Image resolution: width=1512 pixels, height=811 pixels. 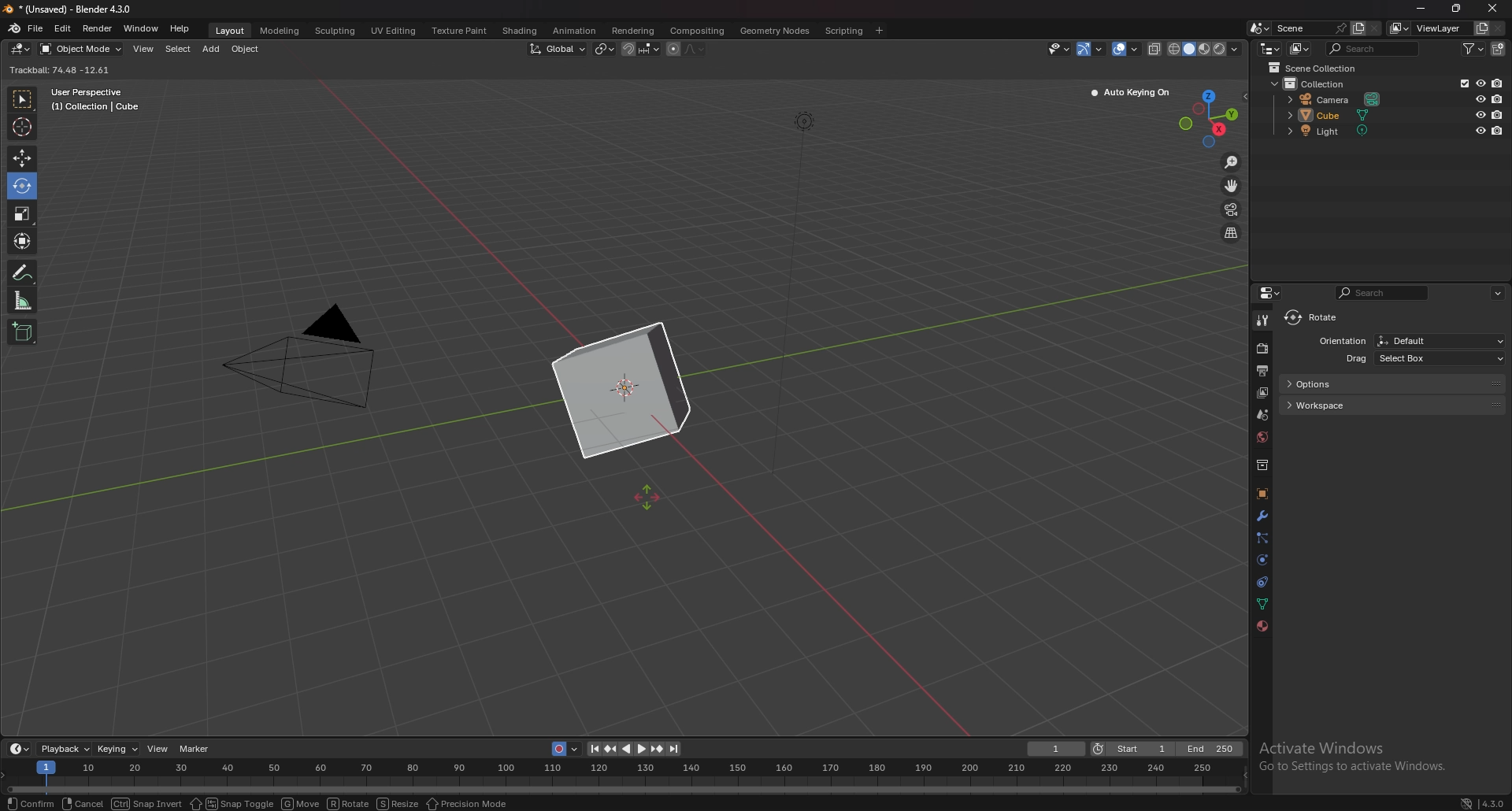 I want to click on toggle xray, so click(x=1155, y=49).